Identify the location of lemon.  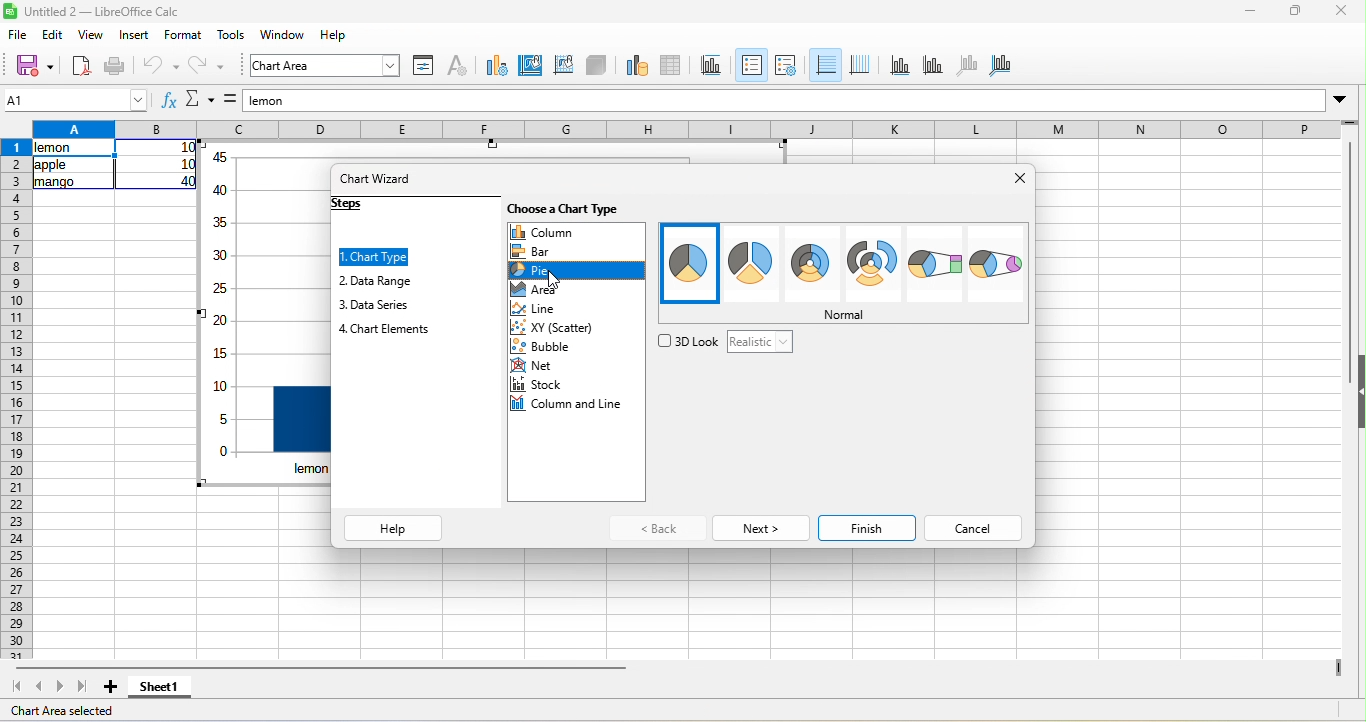
(75, 148).